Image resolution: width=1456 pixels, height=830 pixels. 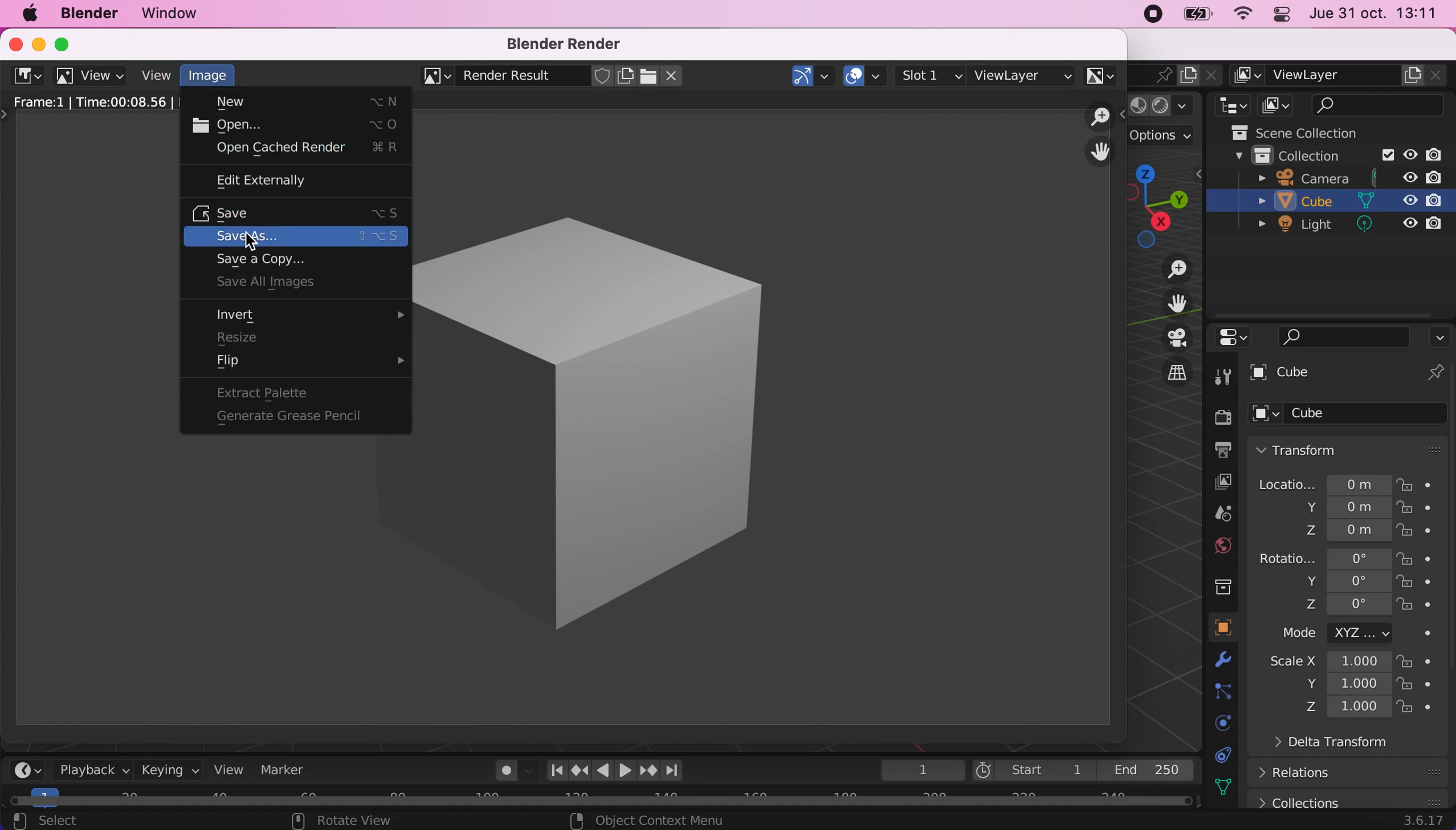 What do you see at coordinates (301, 415) in the screenshot?
I see `generate grease pencil` at bounding box center [301, 415].